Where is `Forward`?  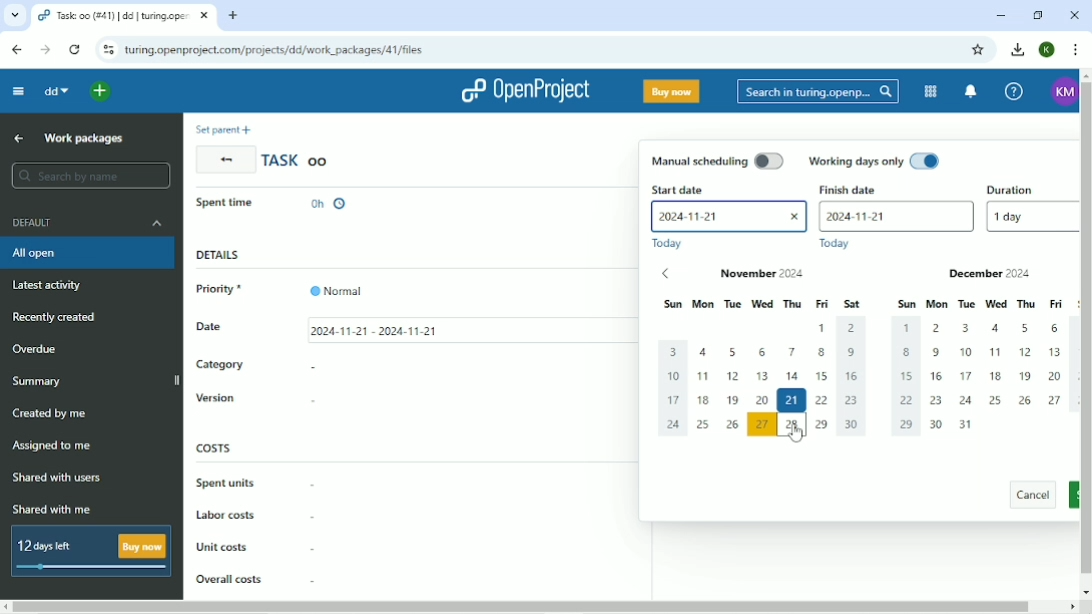
Forward is located at coordinates (45, 50).